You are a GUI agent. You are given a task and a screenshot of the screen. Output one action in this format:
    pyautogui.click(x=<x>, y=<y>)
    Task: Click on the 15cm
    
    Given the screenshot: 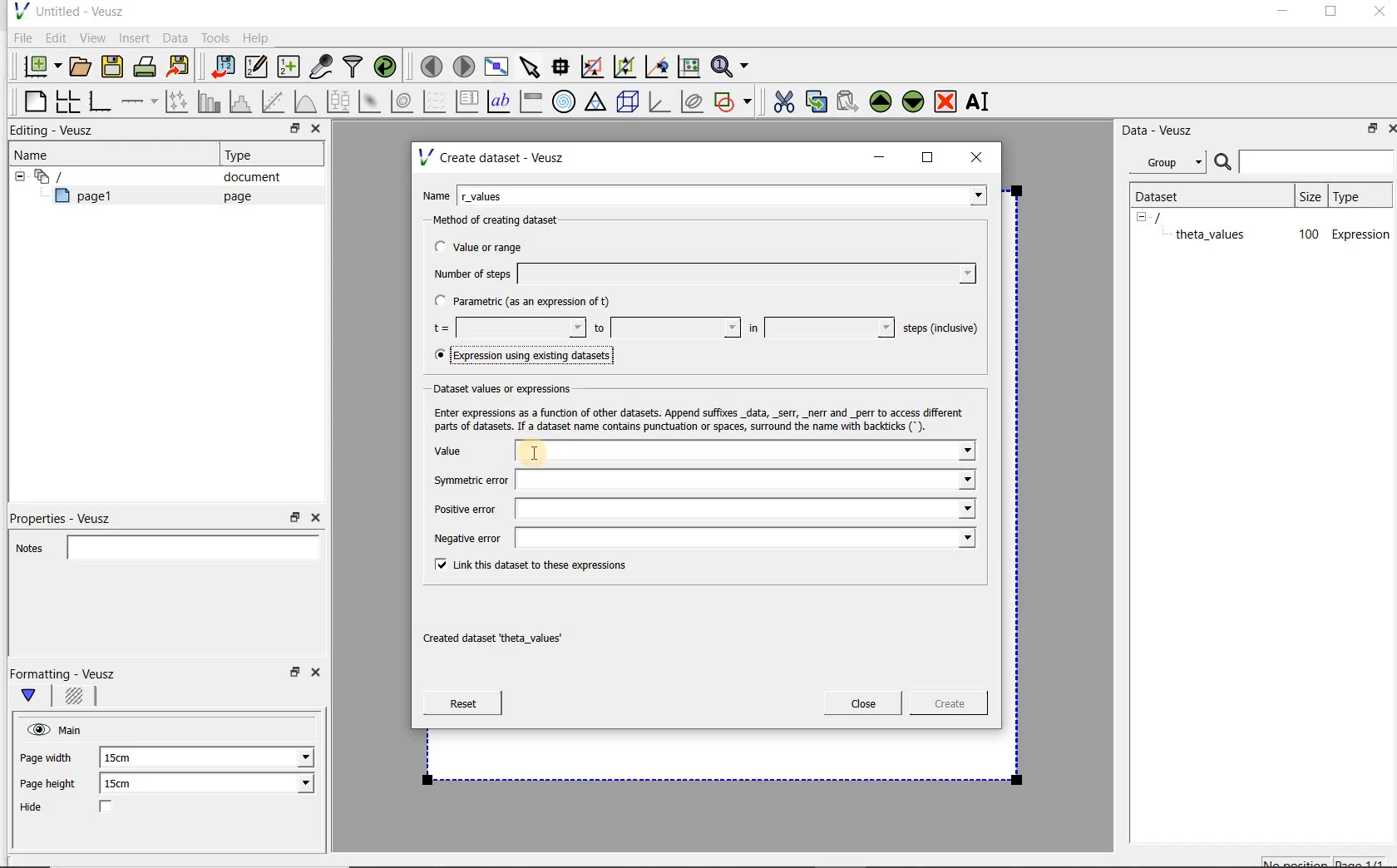 What is the action you would take?
    pyautogui.click(x=126, y=758)
    